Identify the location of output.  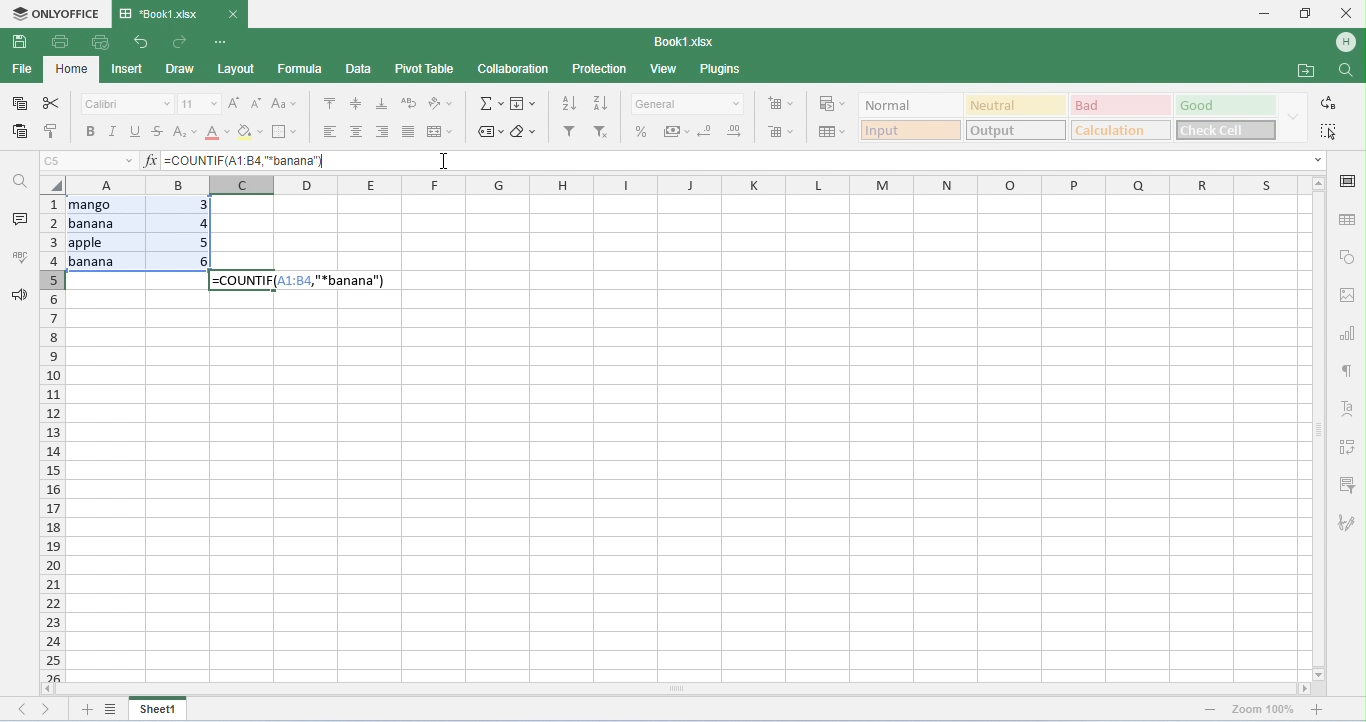
(1017, 130).